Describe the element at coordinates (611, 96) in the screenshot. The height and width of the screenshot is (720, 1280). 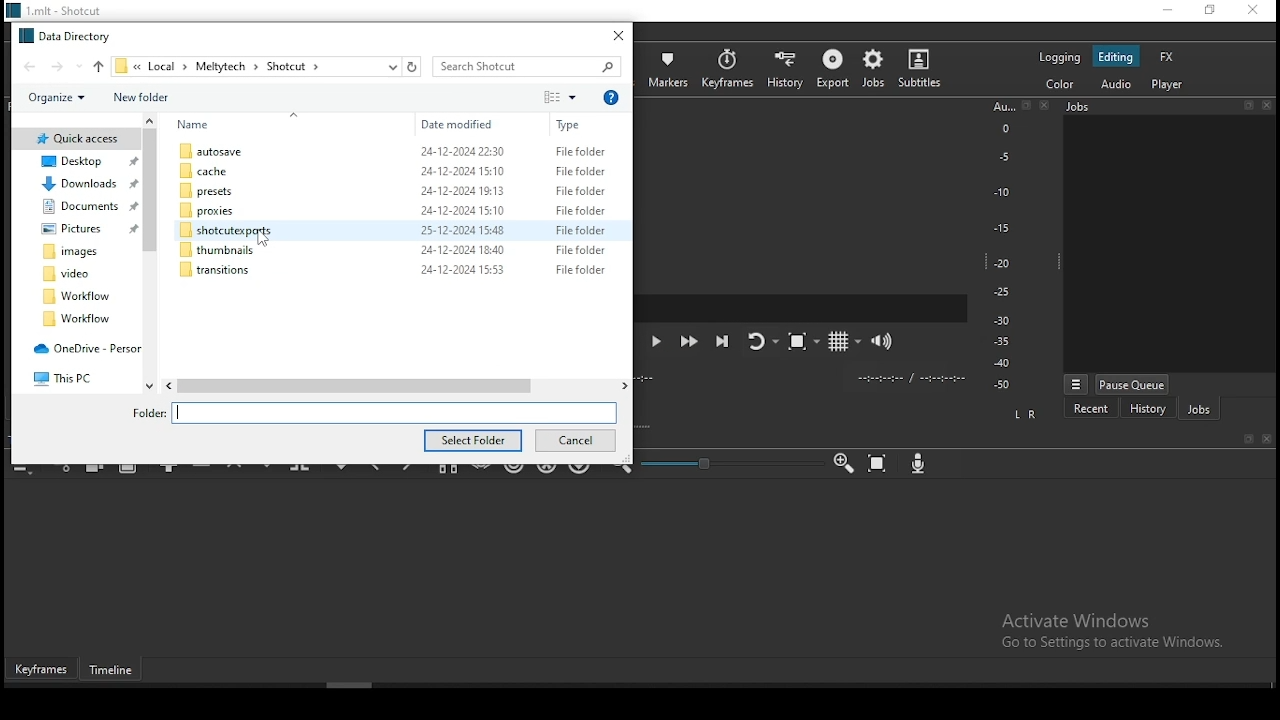
I see `Type` at that location.